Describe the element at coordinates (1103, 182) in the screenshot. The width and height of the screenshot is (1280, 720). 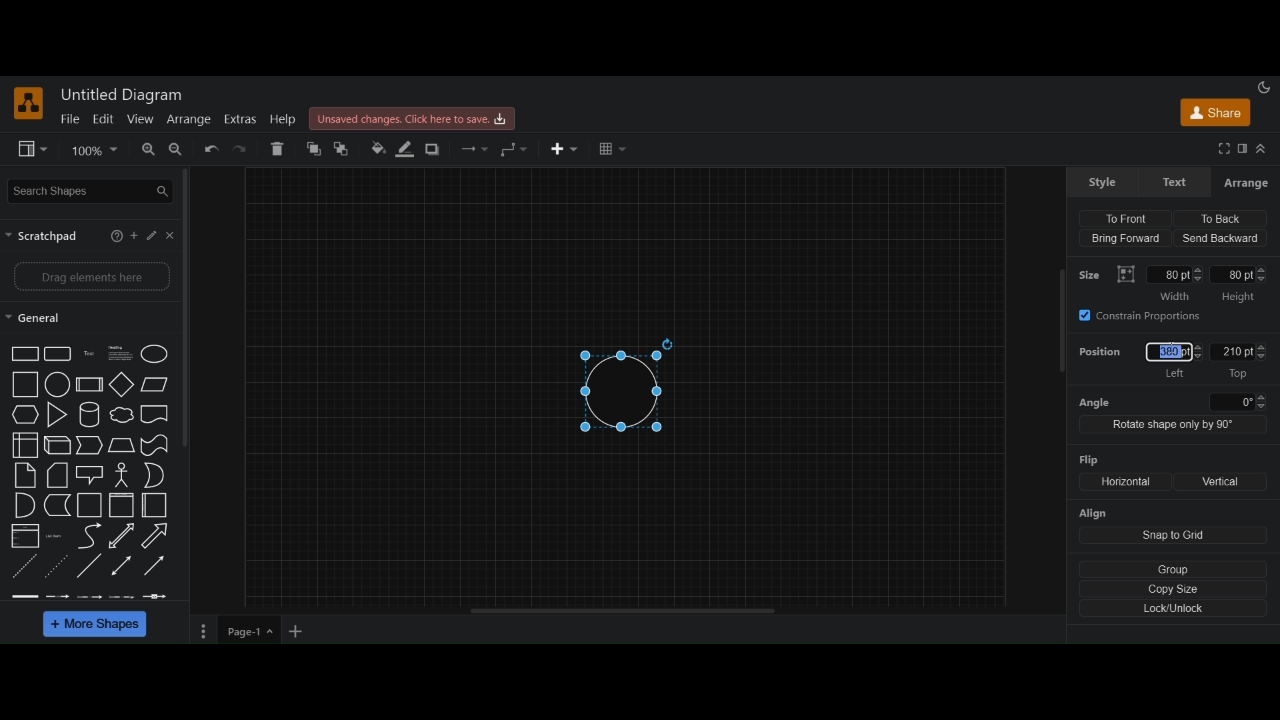
I see `style` at that location.